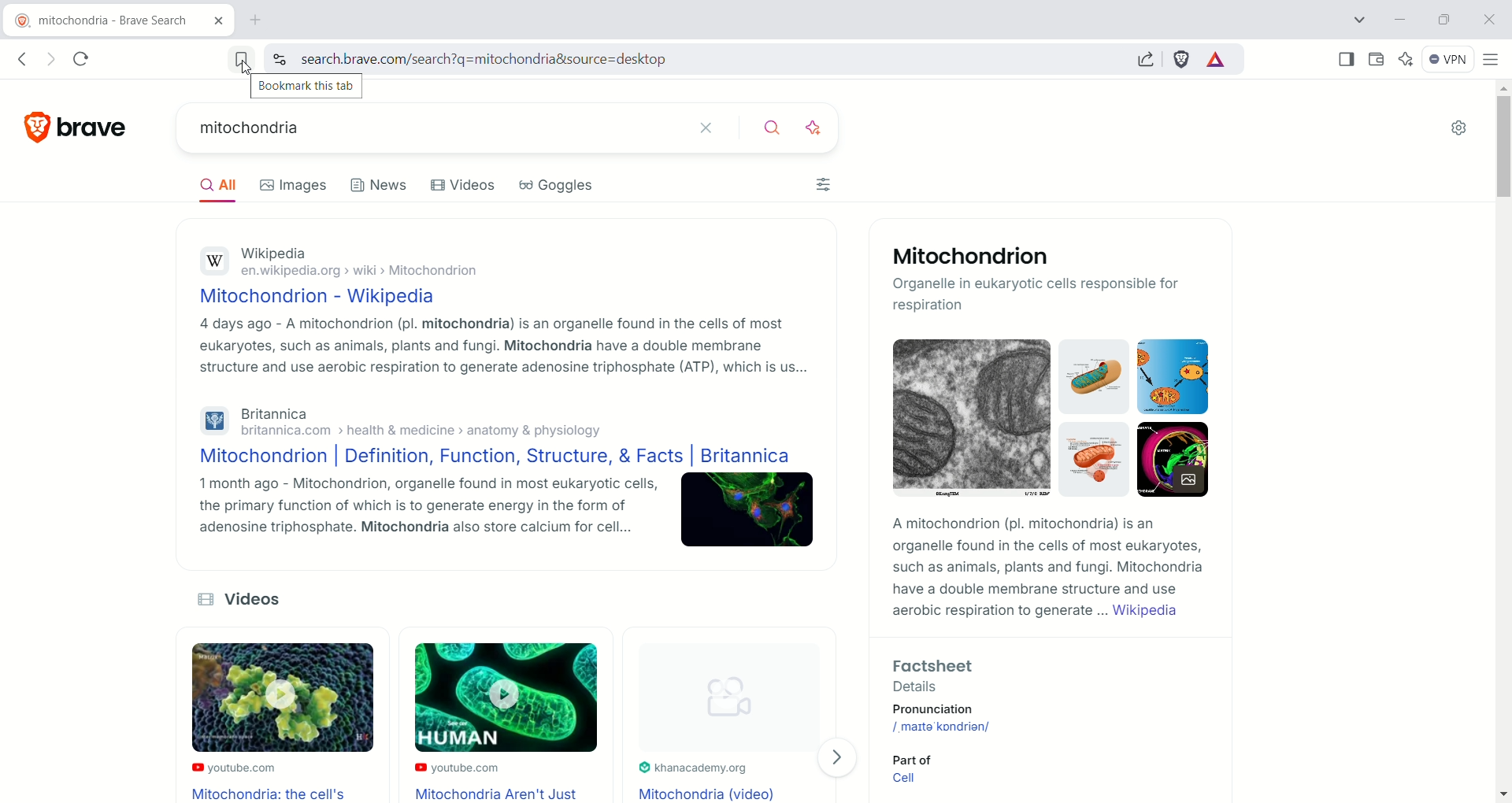  What do you see at coordinates (305, 89) in the screenshot?
I see `bookmark this tab` at bounding box center [305, 89].